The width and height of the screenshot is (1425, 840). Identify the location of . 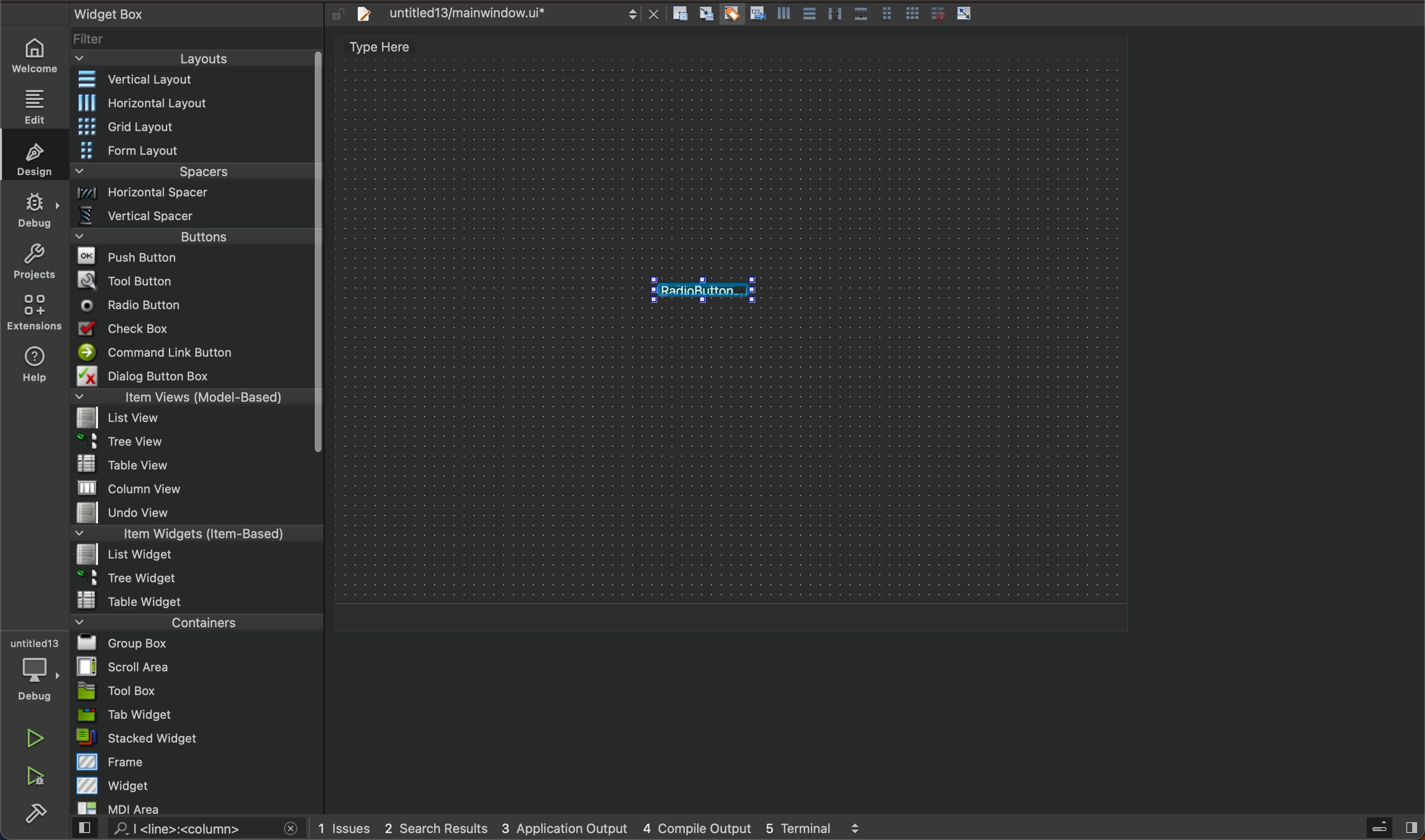
(808, 15).